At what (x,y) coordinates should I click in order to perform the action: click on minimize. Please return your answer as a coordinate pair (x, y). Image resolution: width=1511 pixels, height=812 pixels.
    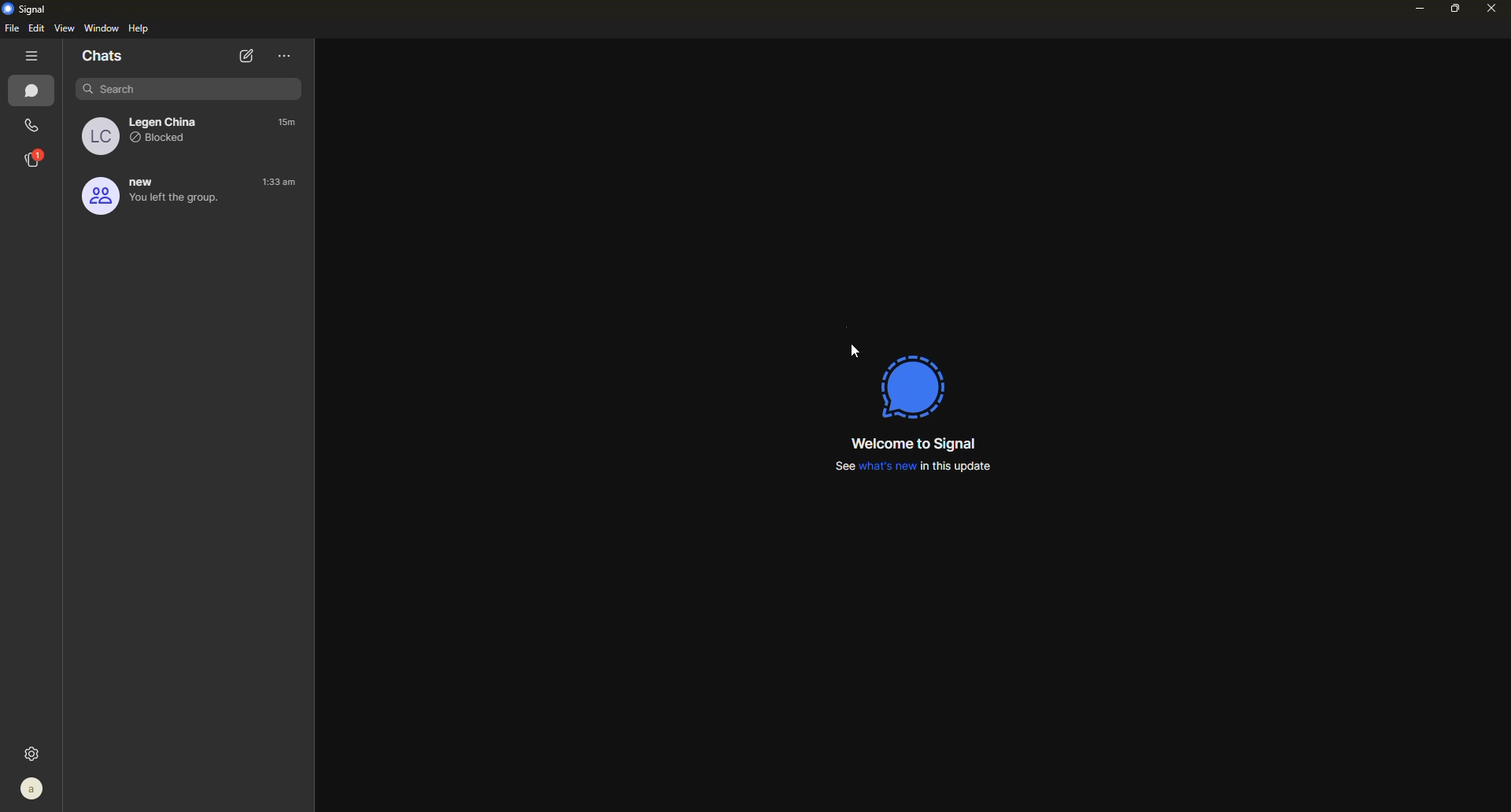
    Looking at the image, I should click on (1410, 9).